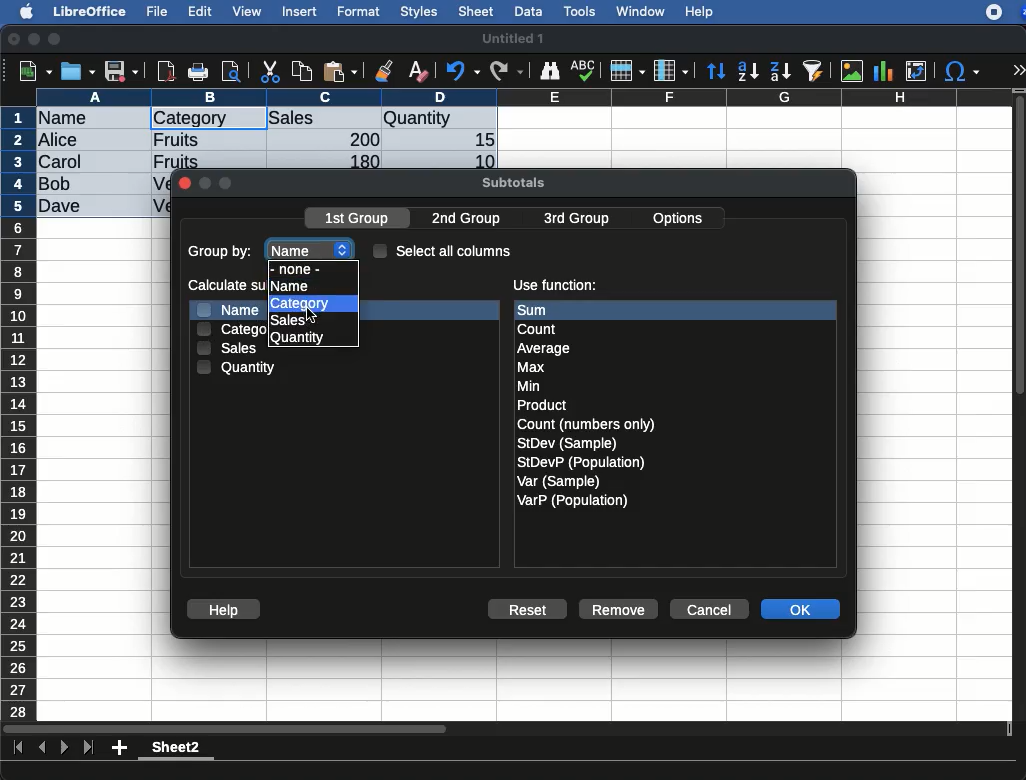  What do you see at coordinates (443, 250) in the screenshot?
I see `select all columns` at bounding box center [443, 250].